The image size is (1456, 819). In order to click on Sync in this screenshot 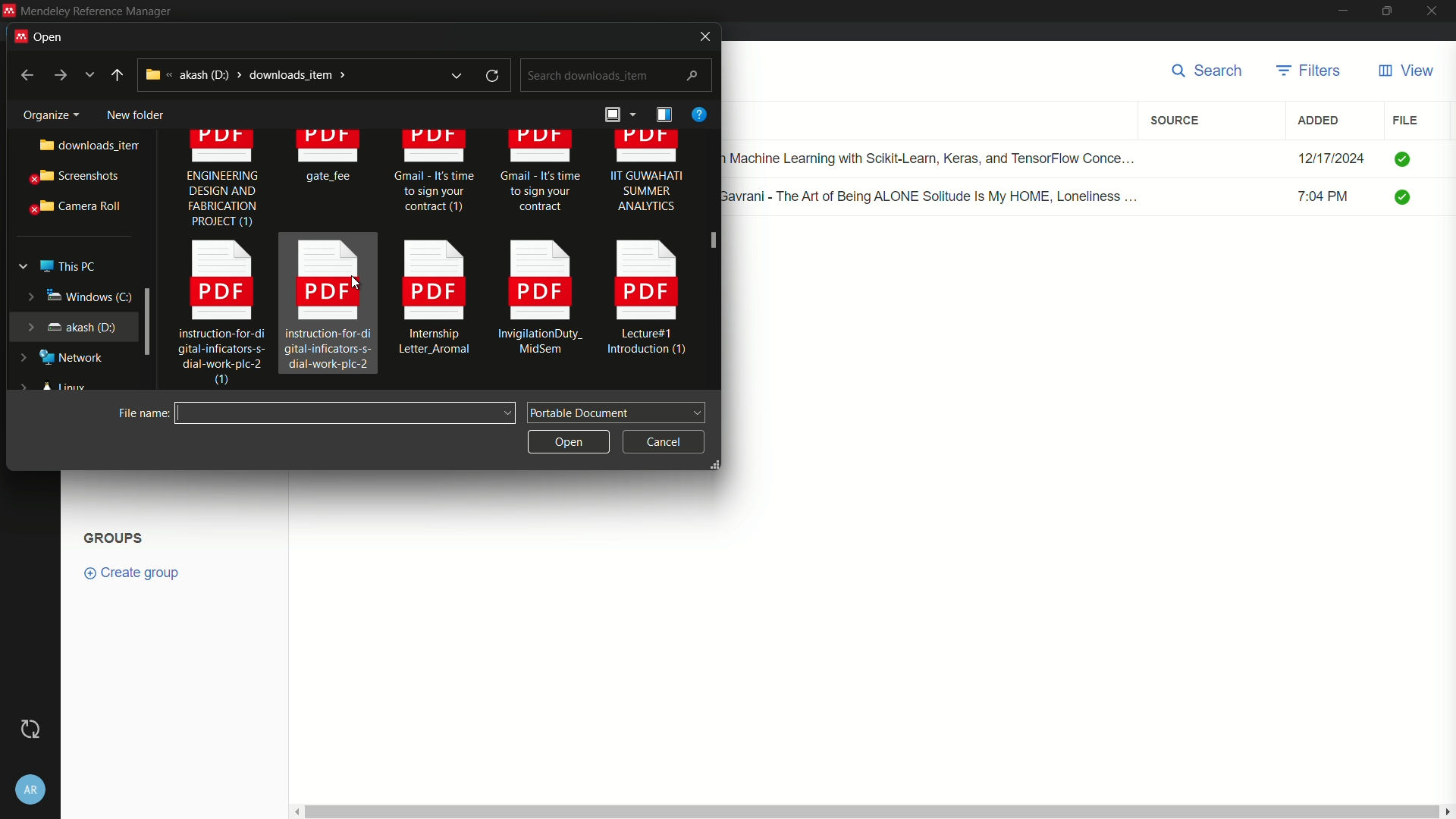, I will do `click(30, 729)`.